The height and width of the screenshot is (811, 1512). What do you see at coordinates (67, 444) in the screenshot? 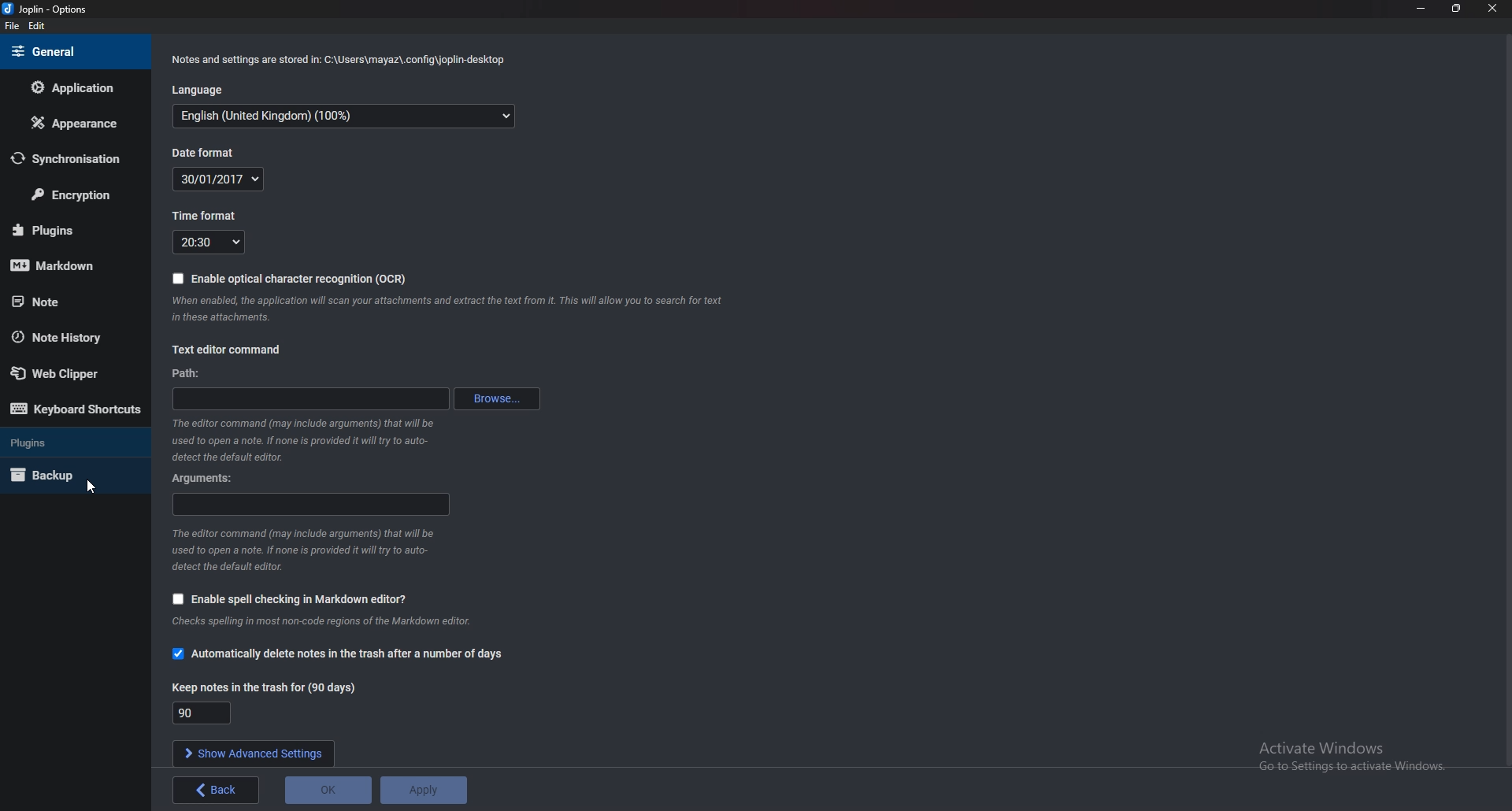
I see `Plugins` at bounding box center [67, 444].